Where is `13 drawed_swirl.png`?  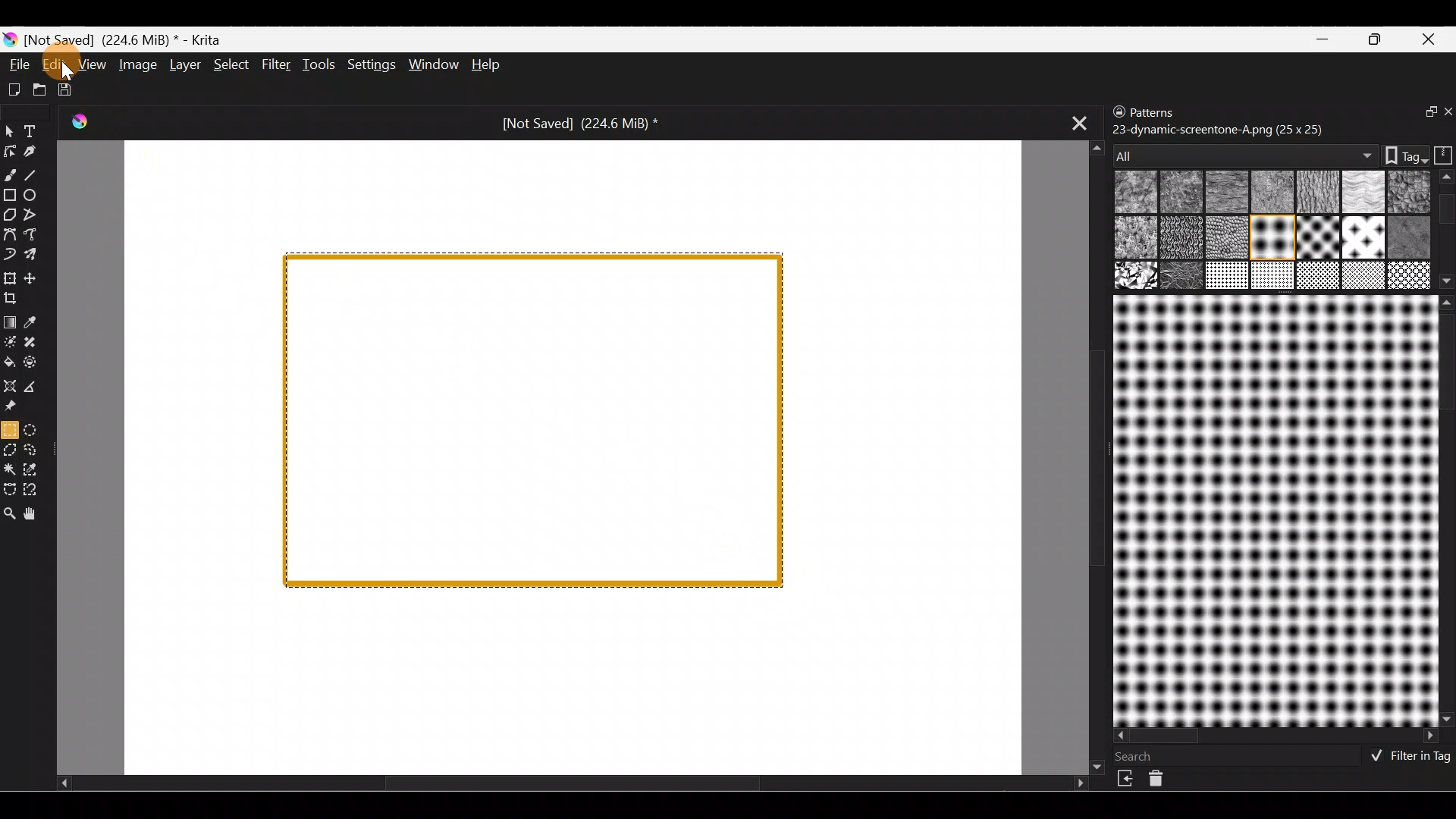 13 drawed_swirl.png is located at coordinates (1409, 235).